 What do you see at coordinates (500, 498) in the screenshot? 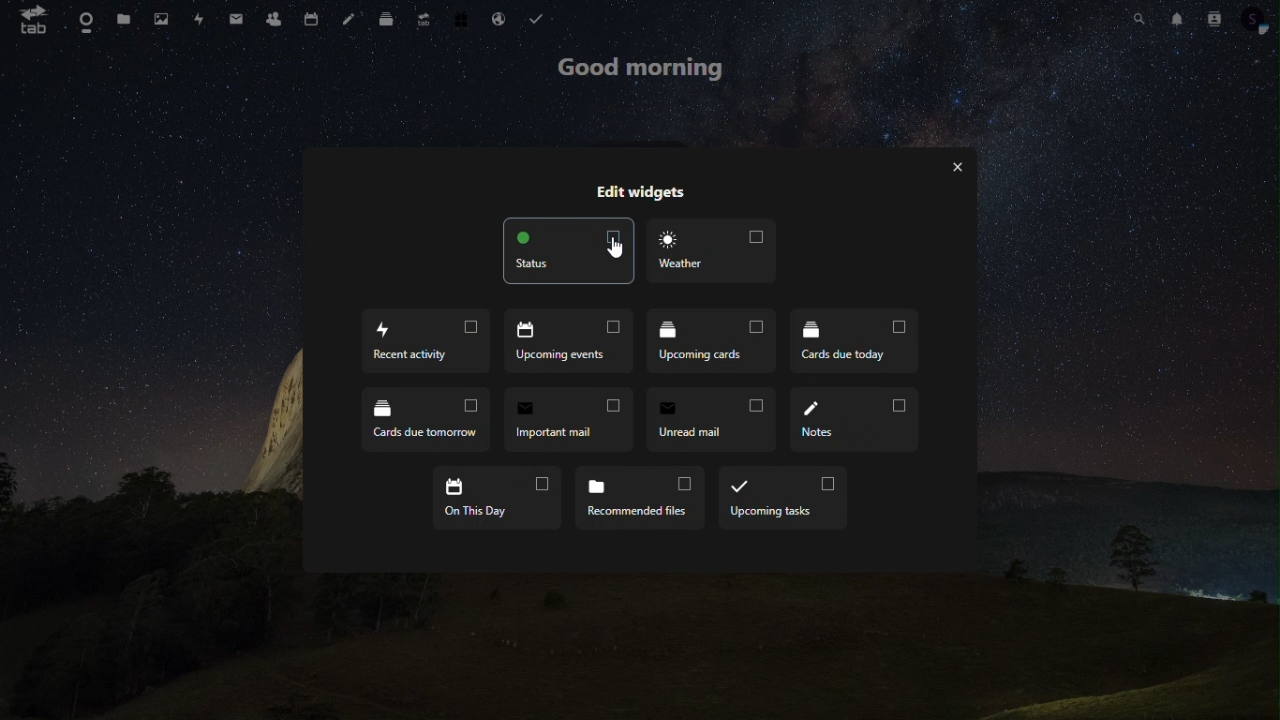
I see `on this day` at bounding box center [500, 498].